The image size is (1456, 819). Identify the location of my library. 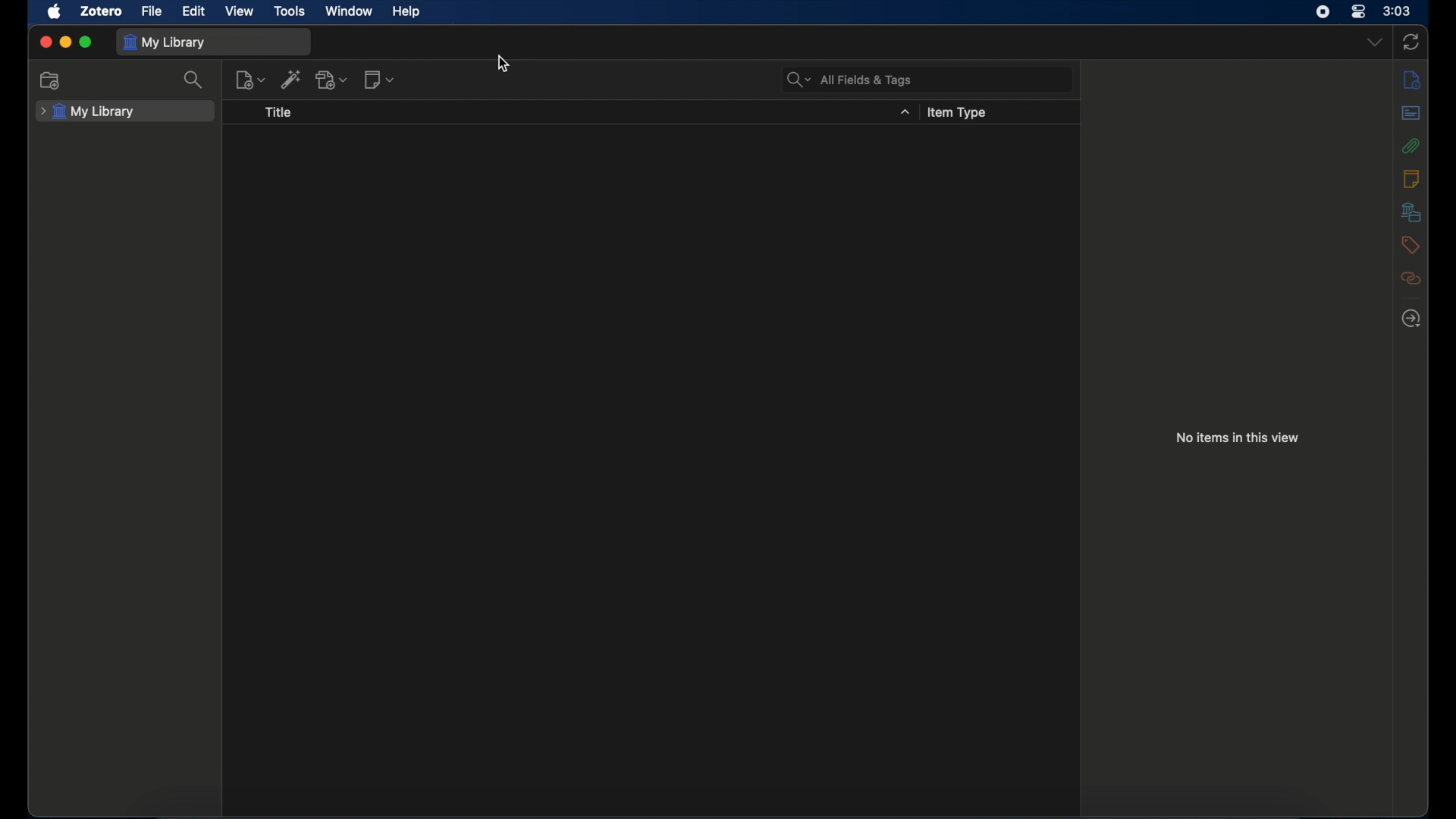
(163, 42).